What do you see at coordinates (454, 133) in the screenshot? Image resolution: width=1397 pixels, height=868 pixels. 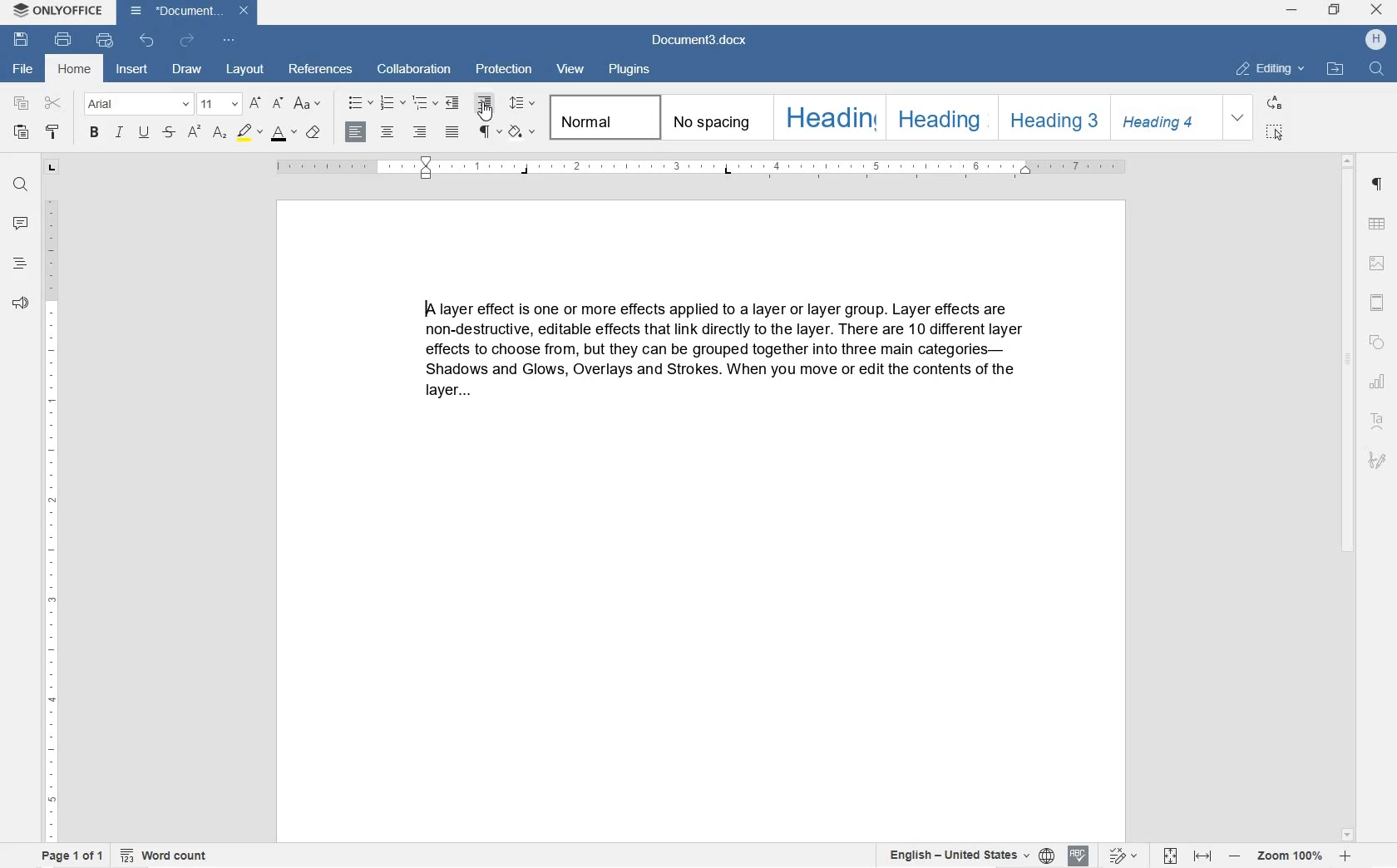 I see `JUSTIFIED` at bounding box center [454, 133].